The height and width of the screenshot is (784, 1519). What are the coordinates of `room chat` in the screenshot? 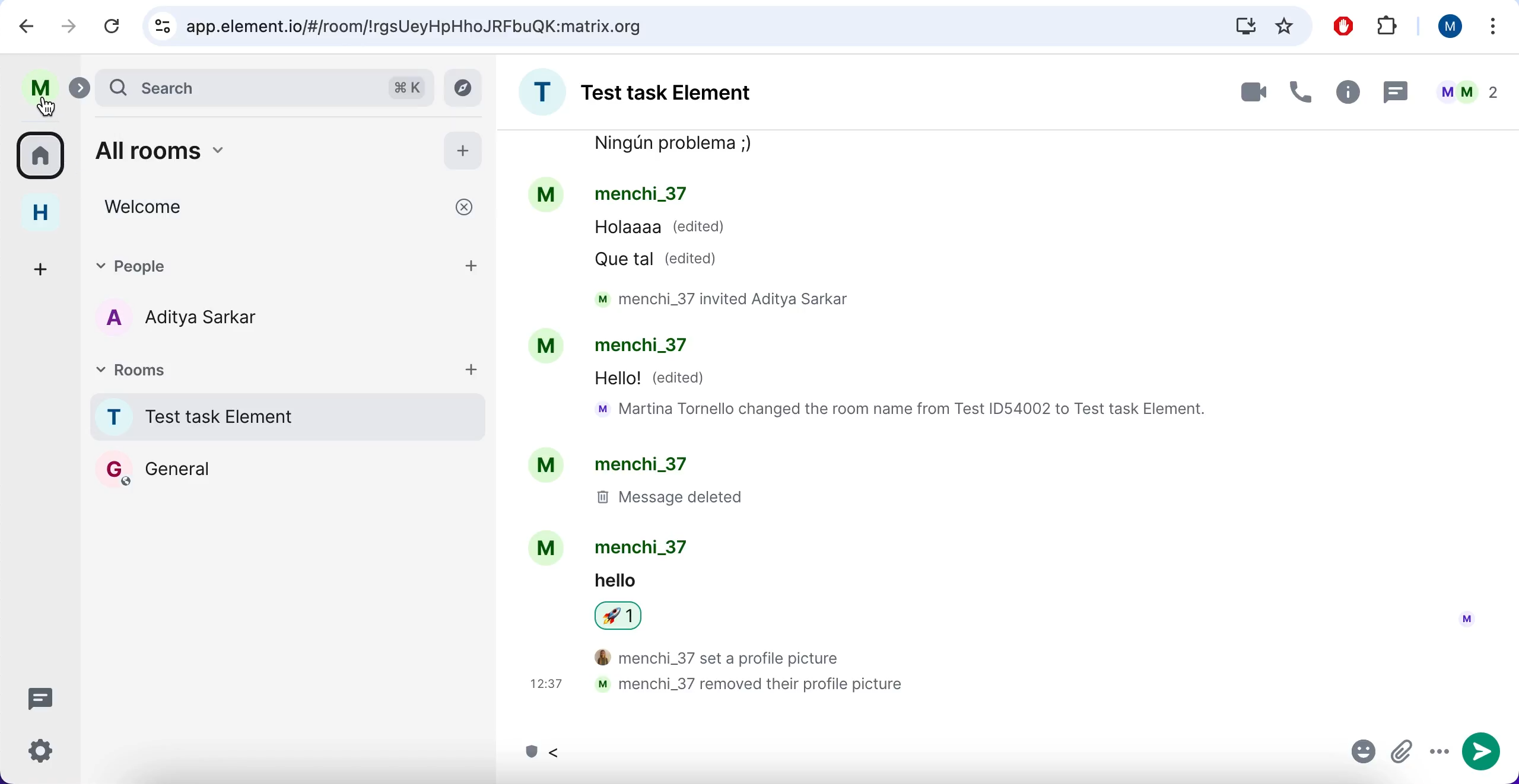 It's located at (658, 92).